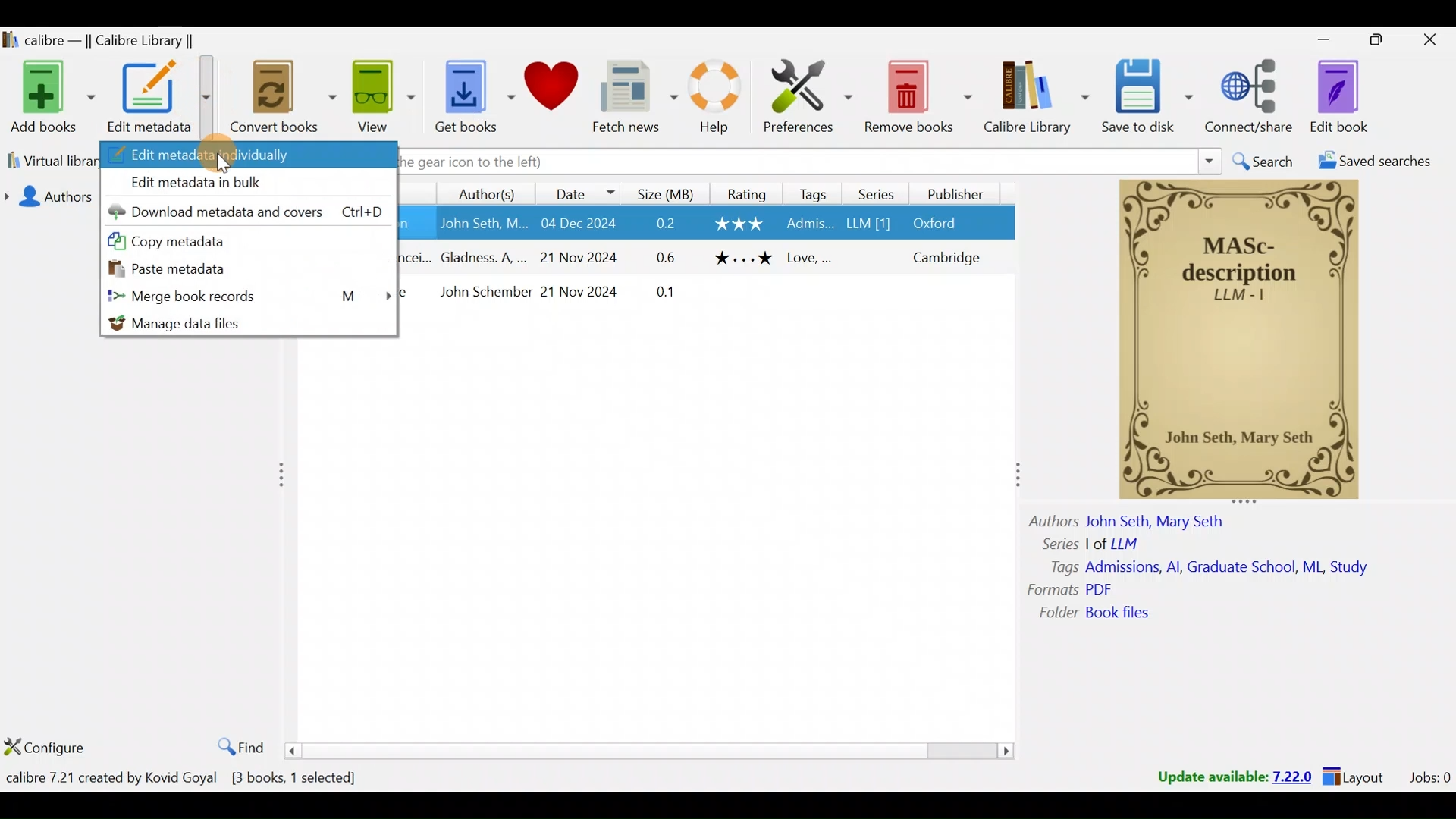  I want to click on , so click(872, 224).